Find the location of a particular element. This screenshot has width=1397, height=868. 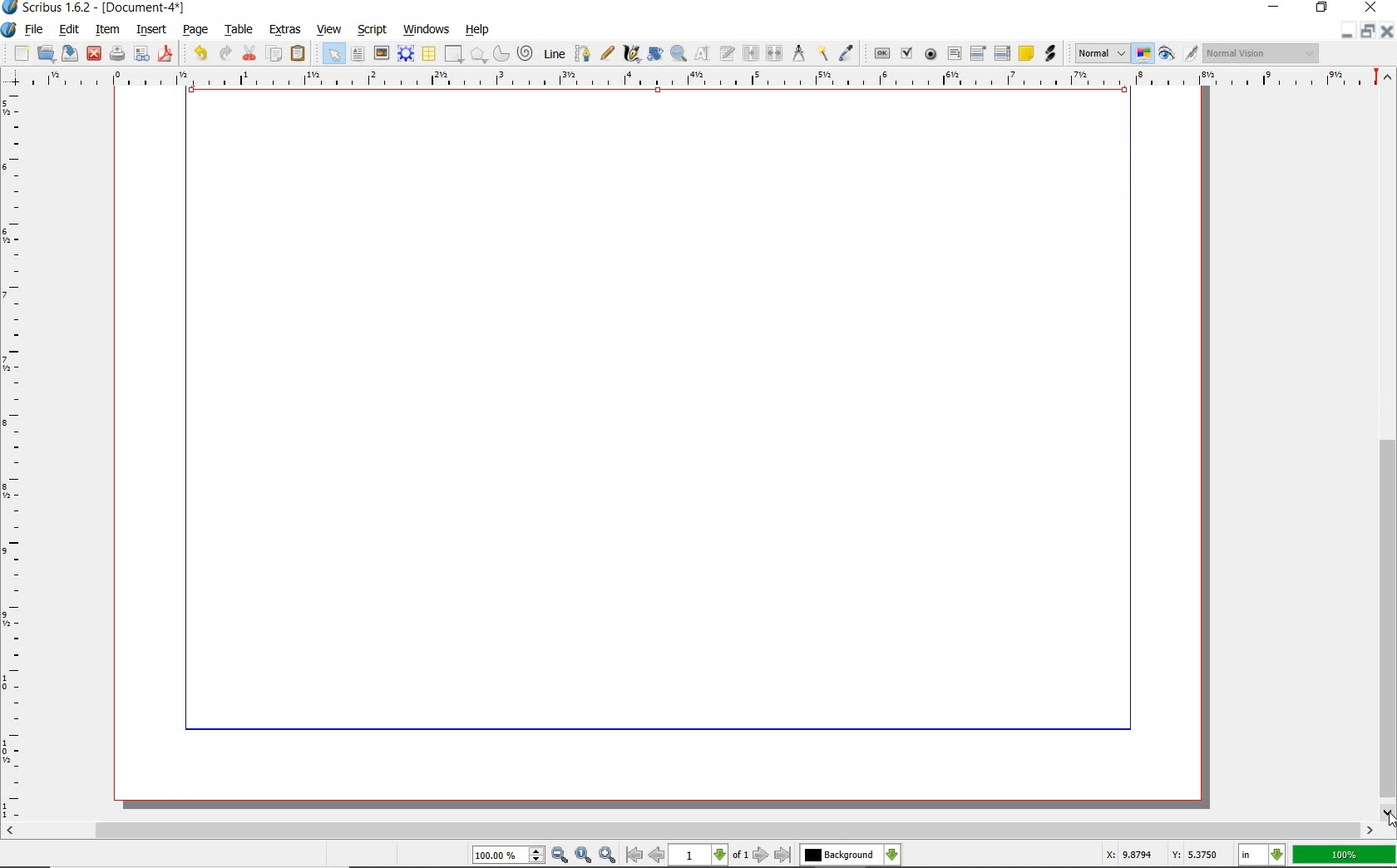

item is located at coordinates (106, 29).